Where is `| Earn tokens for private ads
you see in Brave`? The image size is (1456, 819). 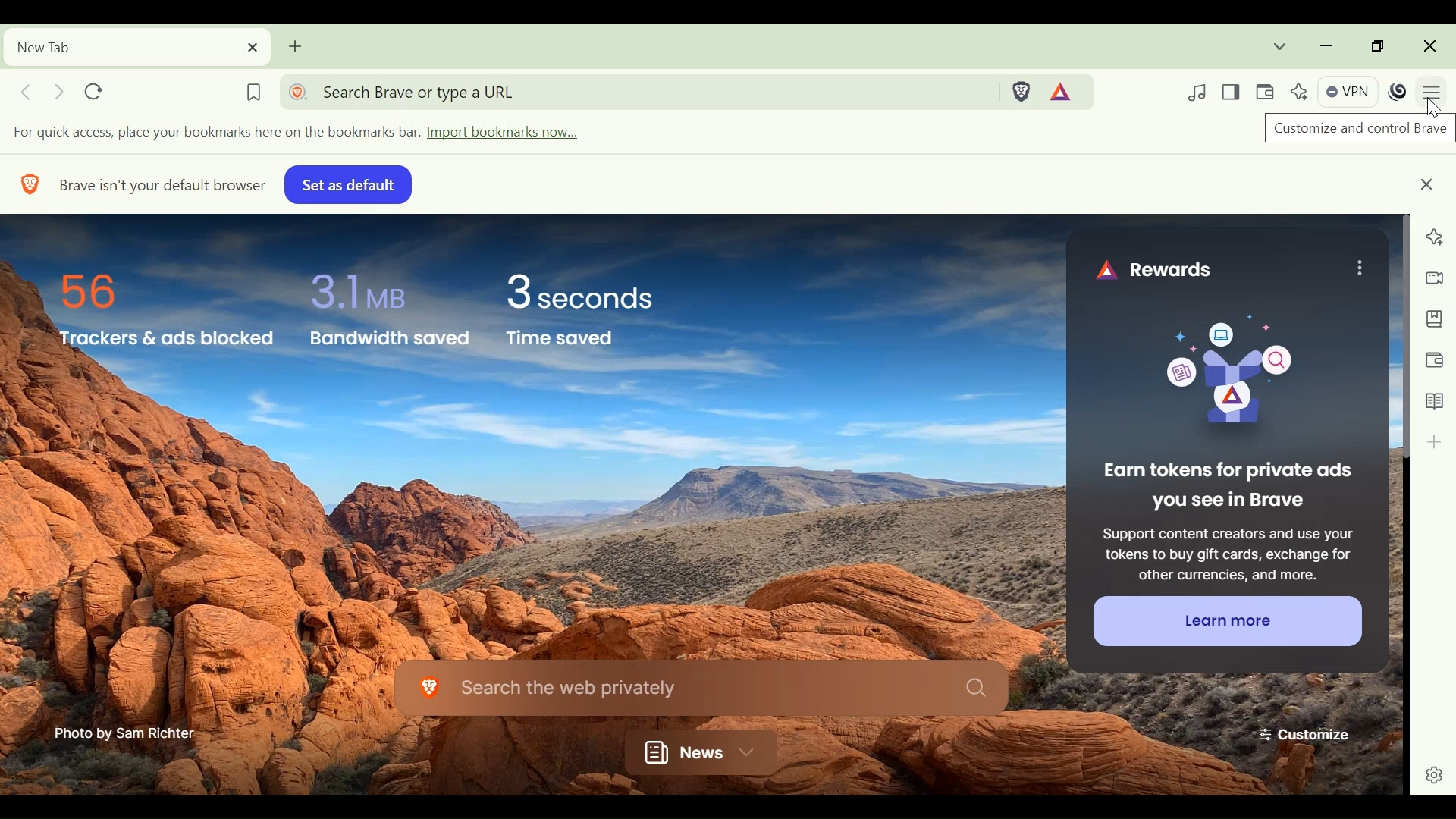 | Earn tokens for private ads
you see in Brave is located at coordinates (1225, 488).